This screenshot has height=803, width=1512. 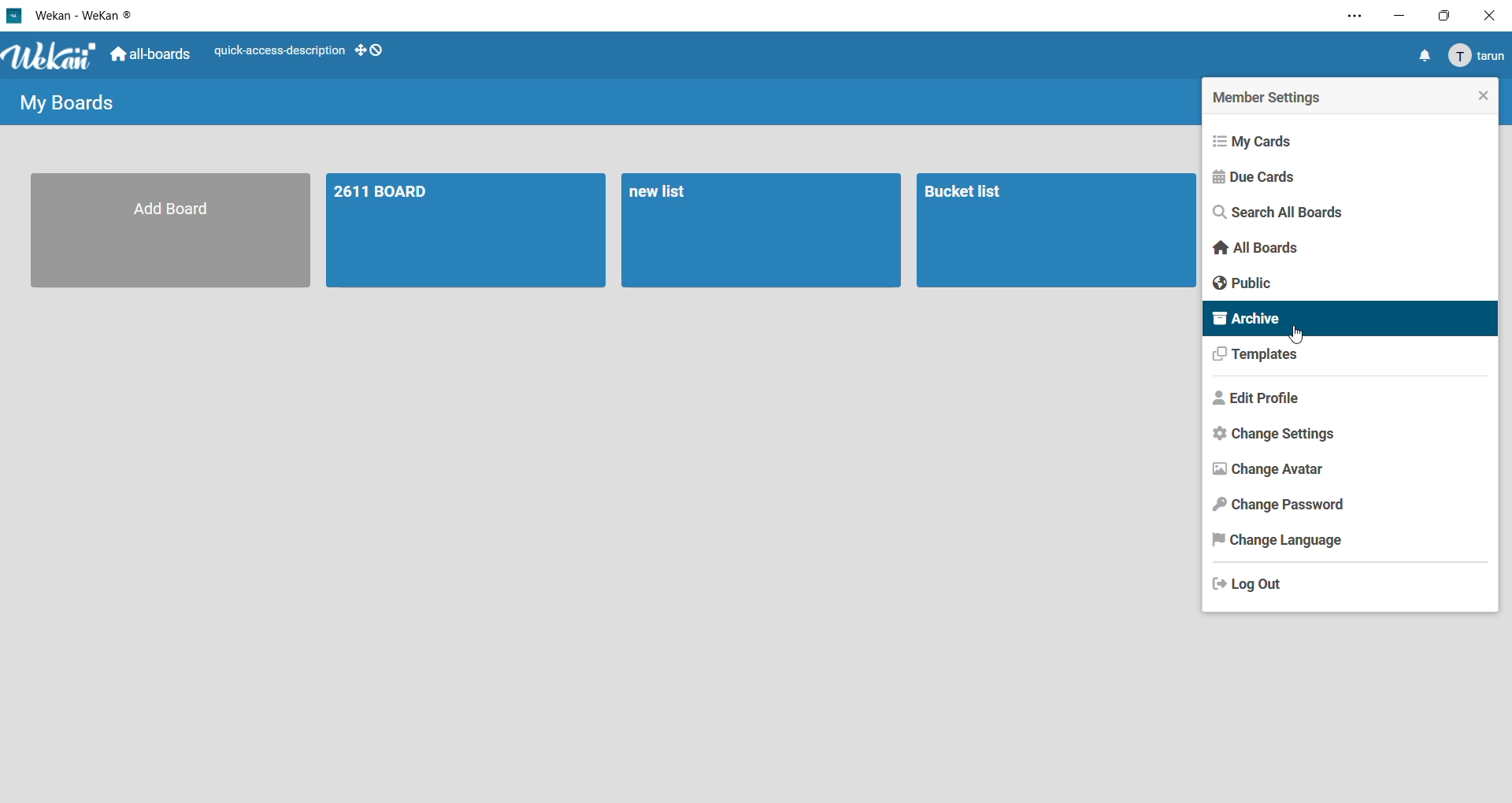 What do you see at coordinates (1259, 359) in the screenshot?
I see `templates` at bounding box center [1259, 359].